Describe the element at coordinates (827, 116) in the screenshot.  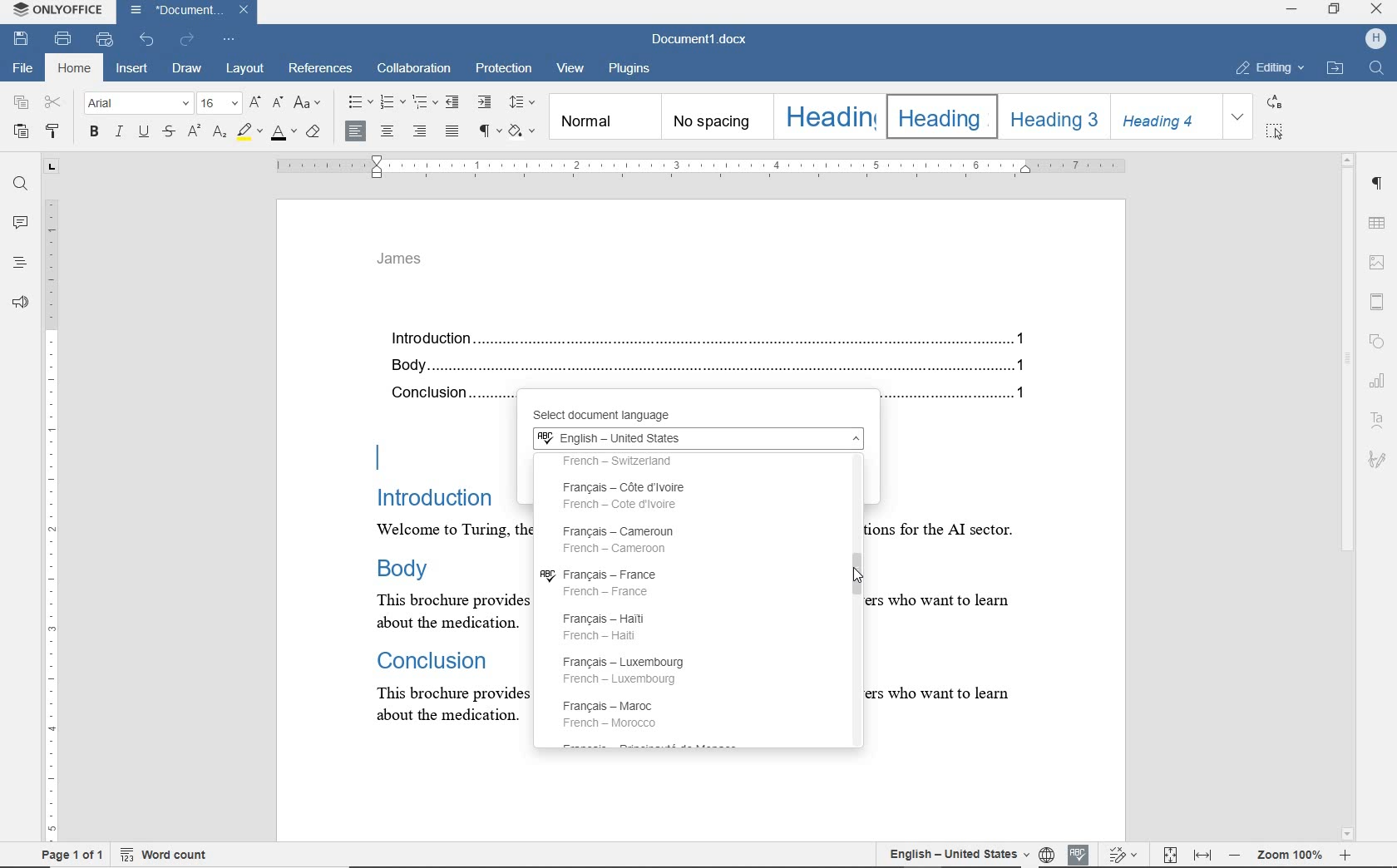
I see `Heading 1` at that location.